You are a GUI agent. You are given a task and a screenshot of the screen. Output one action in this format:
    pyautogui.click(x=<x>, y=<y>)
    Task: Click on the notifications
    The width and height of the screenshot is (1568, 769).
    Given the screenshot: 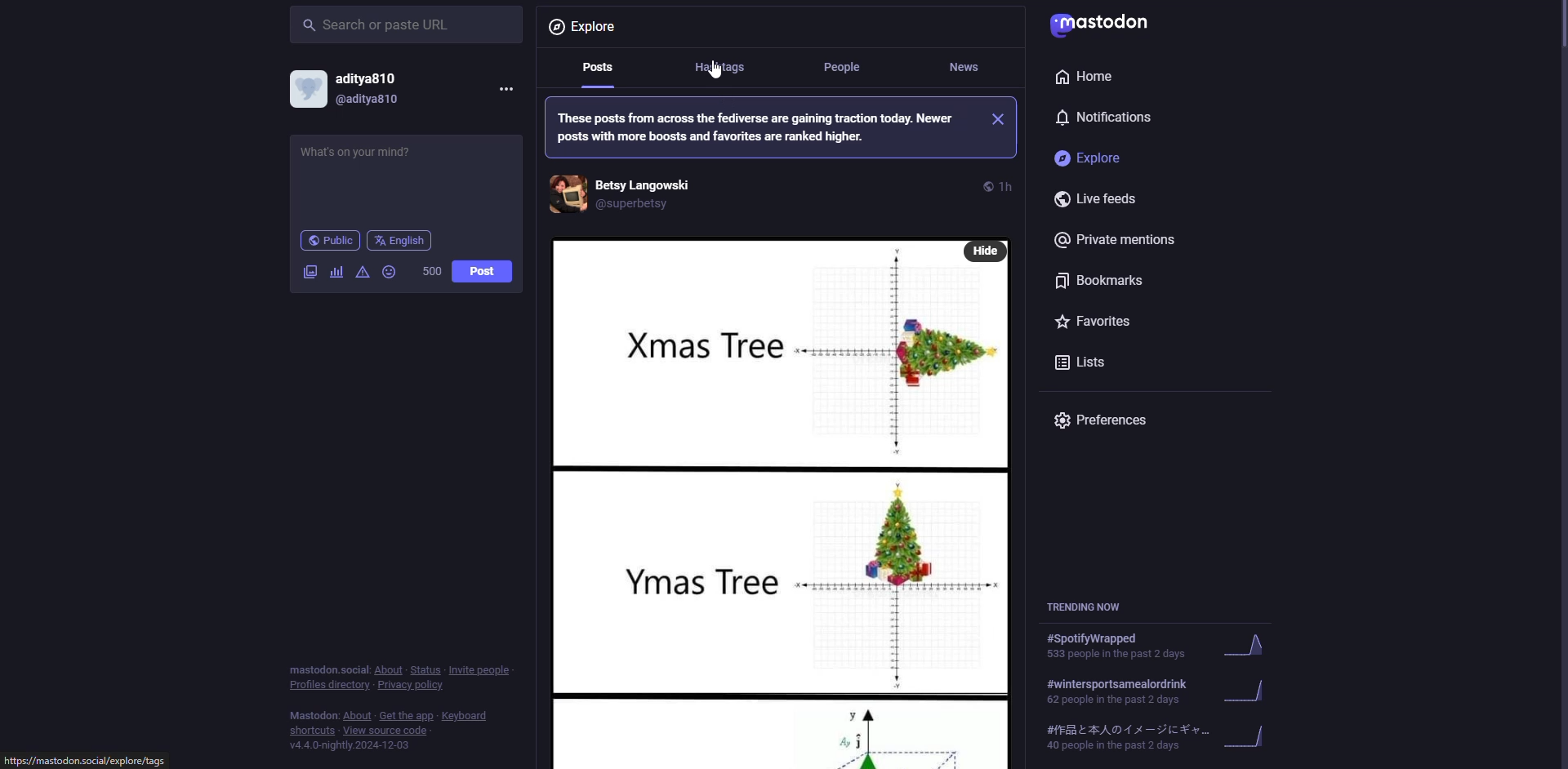 What is the action you would take?
    pyautogui.click(x=1111, y=118)
    